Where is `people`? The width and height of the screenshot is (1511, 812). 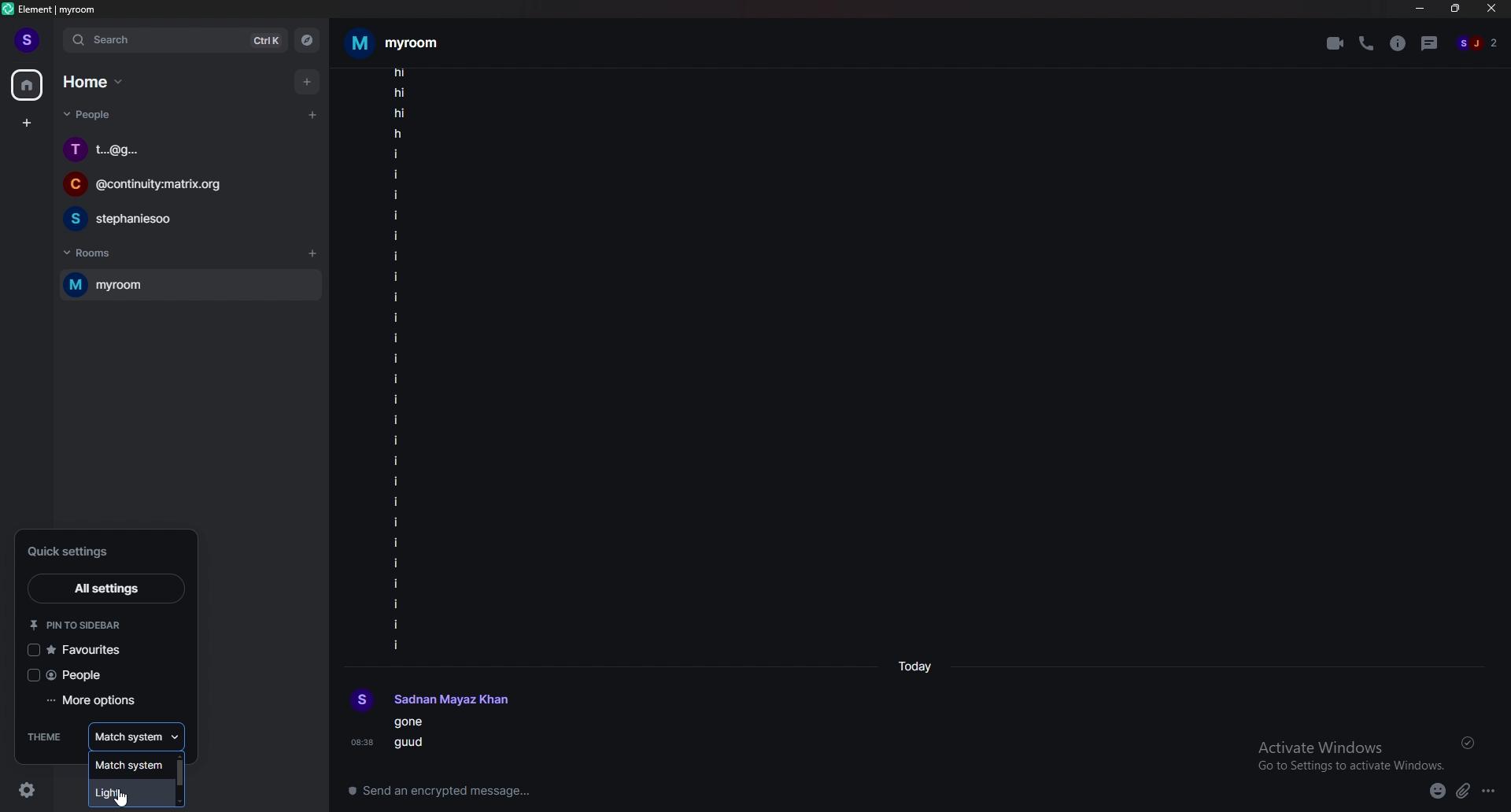
people is located at coordinates (1476, 42).